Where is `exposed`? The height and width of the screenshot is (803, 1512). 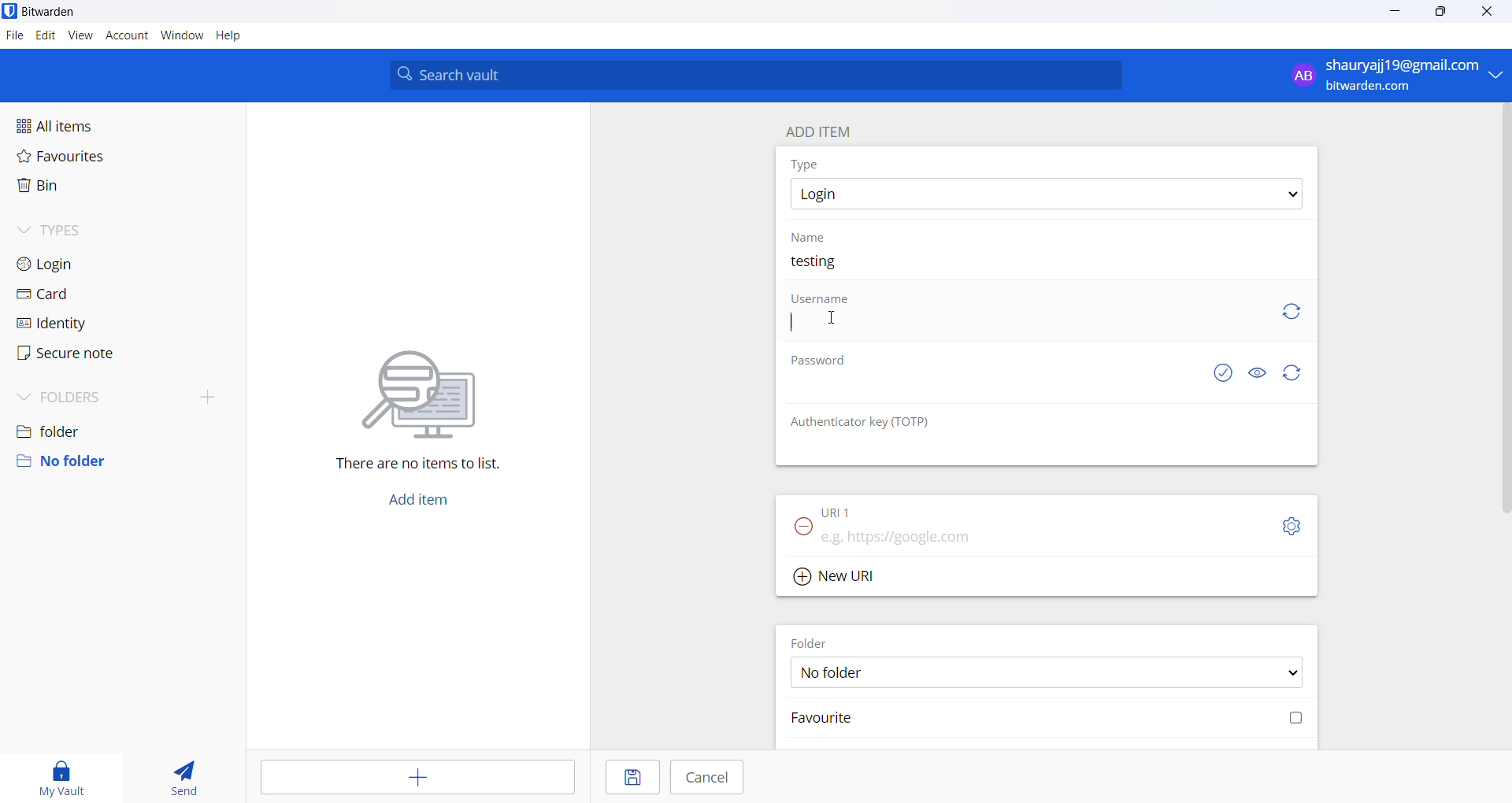
exposed is located at coordinates (1223, 371).